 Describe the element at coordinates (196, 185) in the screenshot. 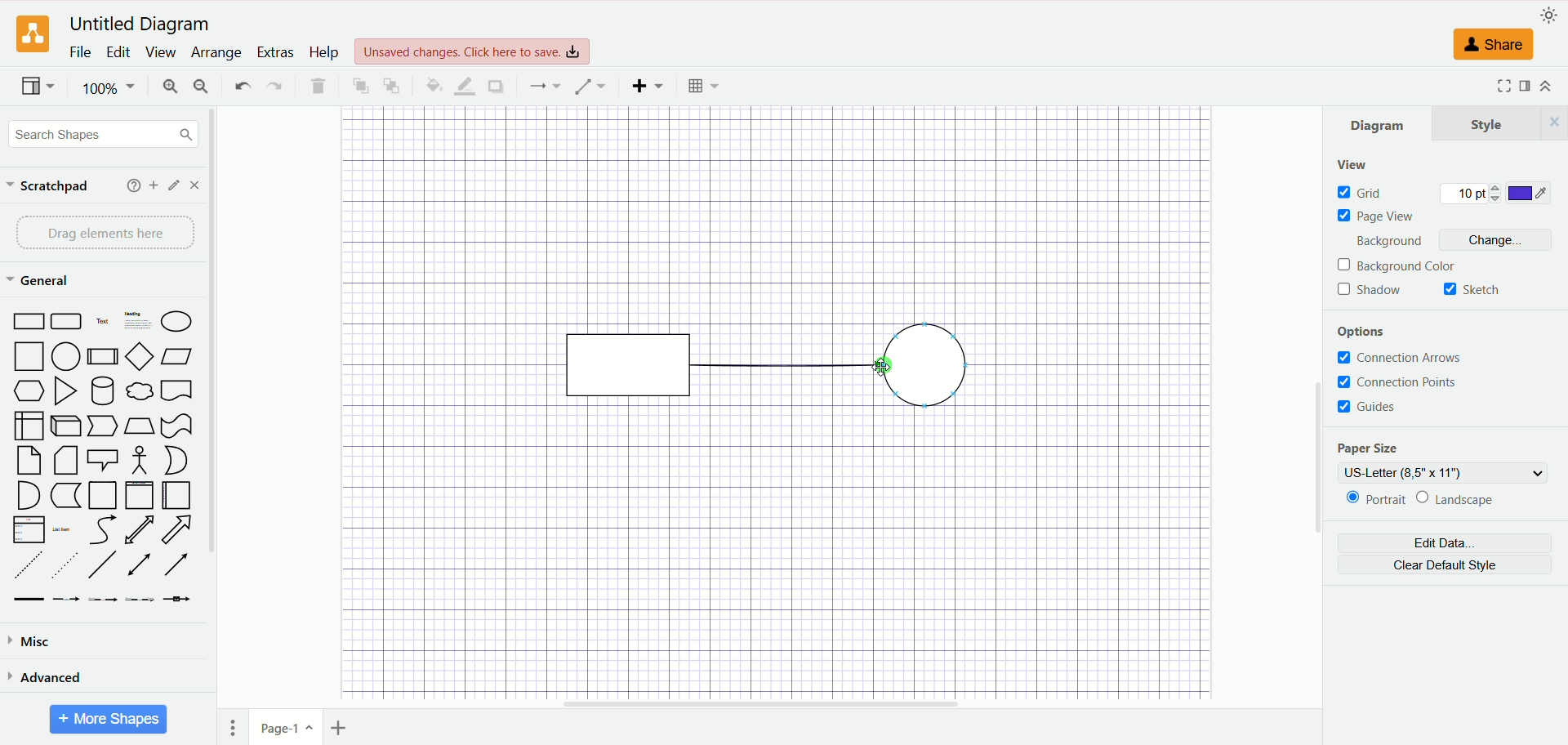

I see `close` at that location.